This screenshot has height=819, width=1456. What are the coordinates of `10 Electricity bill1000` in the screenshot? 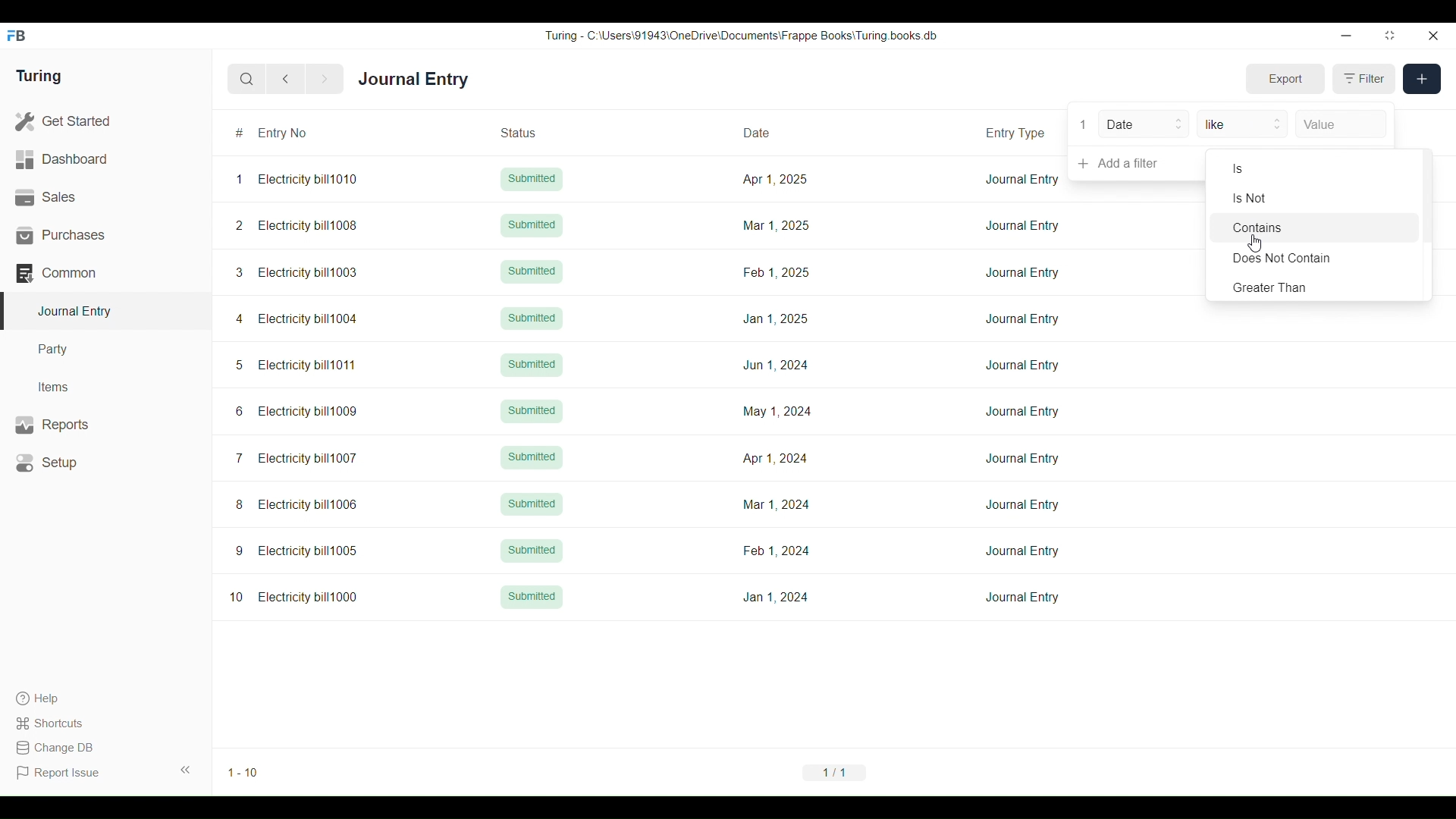 It's located at (294, 597).